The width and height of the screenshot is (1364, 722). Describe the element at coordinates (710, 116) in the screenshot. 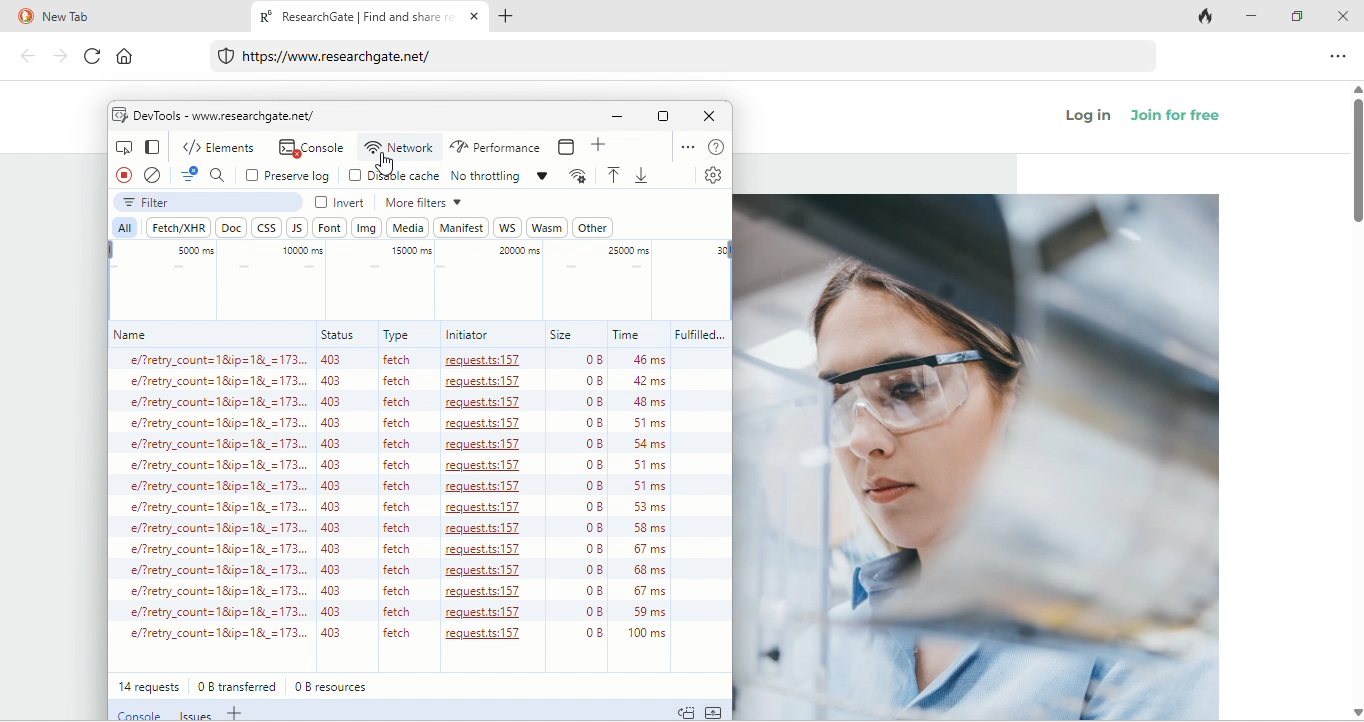

I see `close` at that location.